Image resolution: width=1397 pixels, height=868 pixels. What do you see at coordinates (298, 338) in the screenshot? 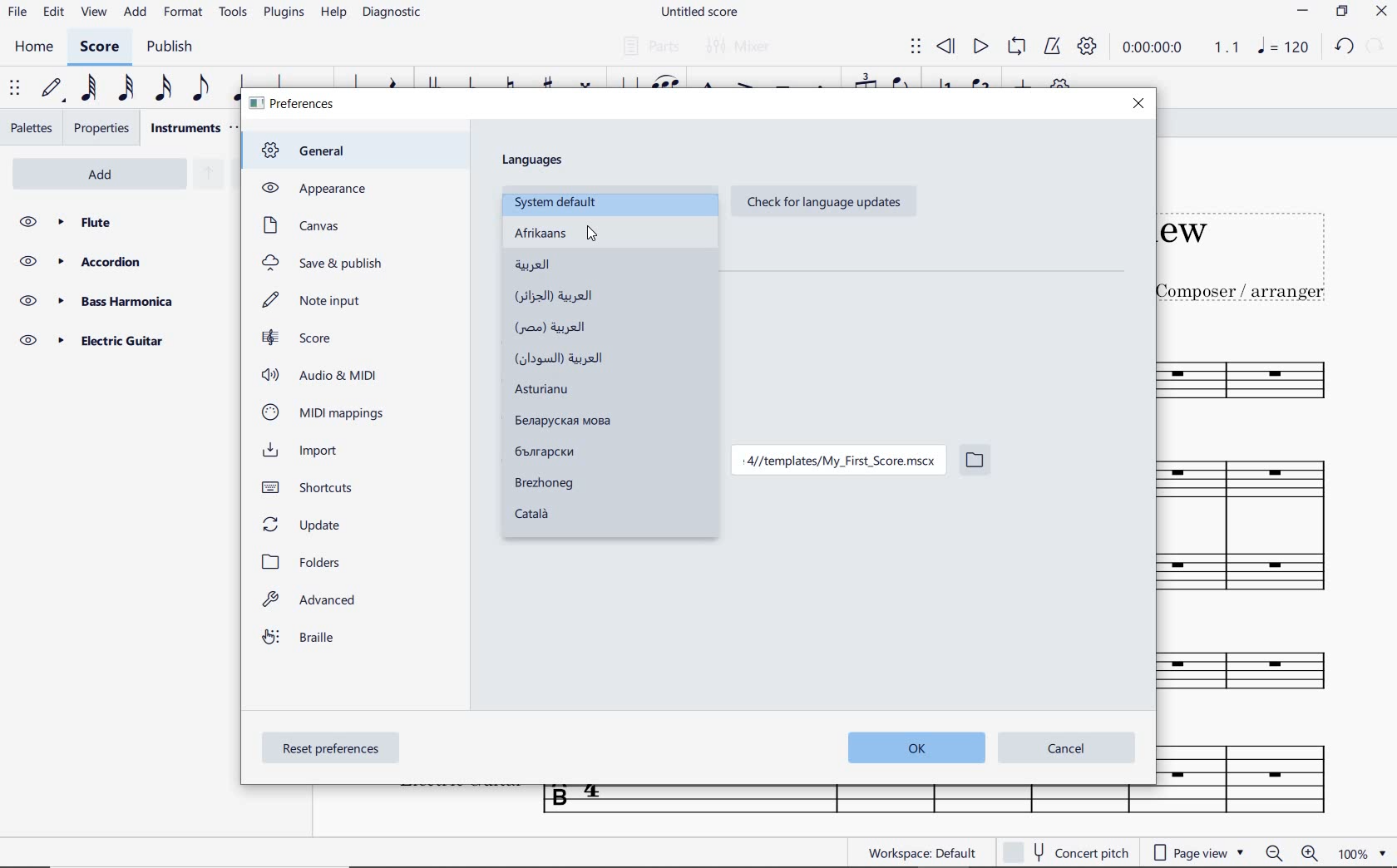
I see `score` at bounding box center [298, 338].